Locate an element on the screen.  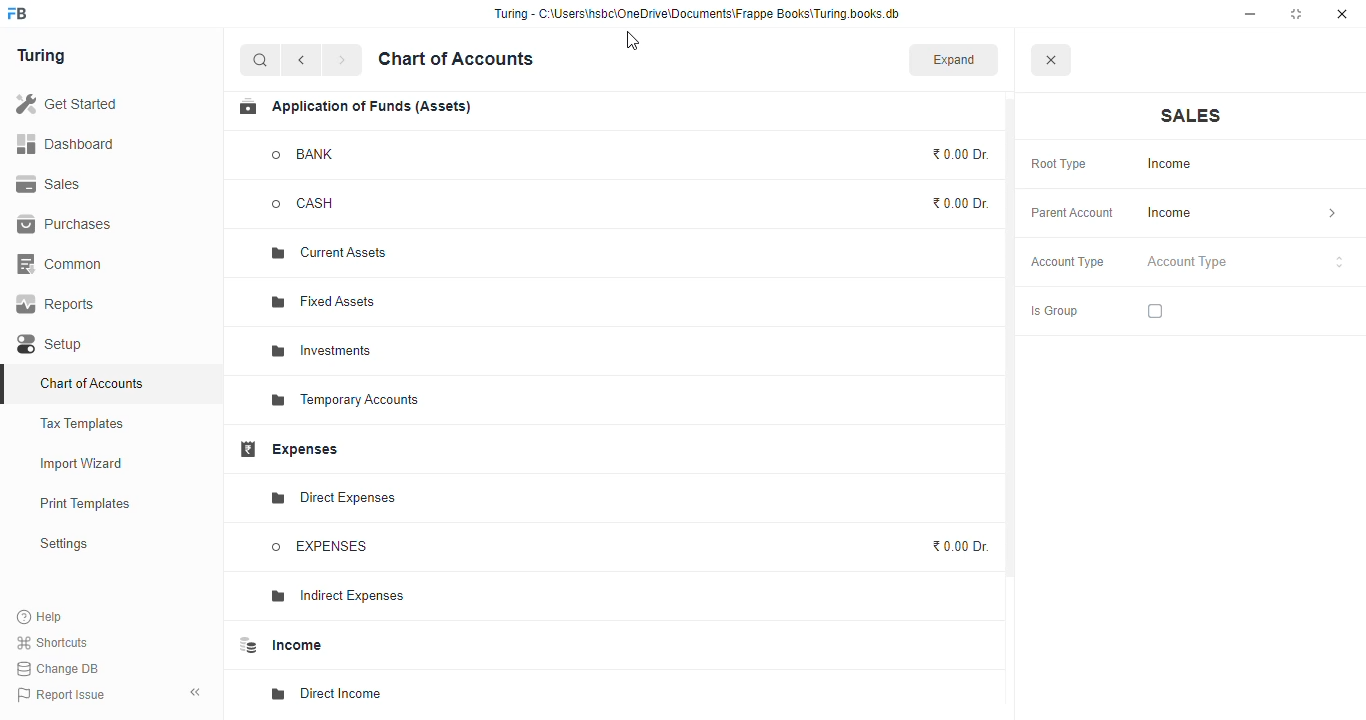
purchases is located at coordinates (67, 225).